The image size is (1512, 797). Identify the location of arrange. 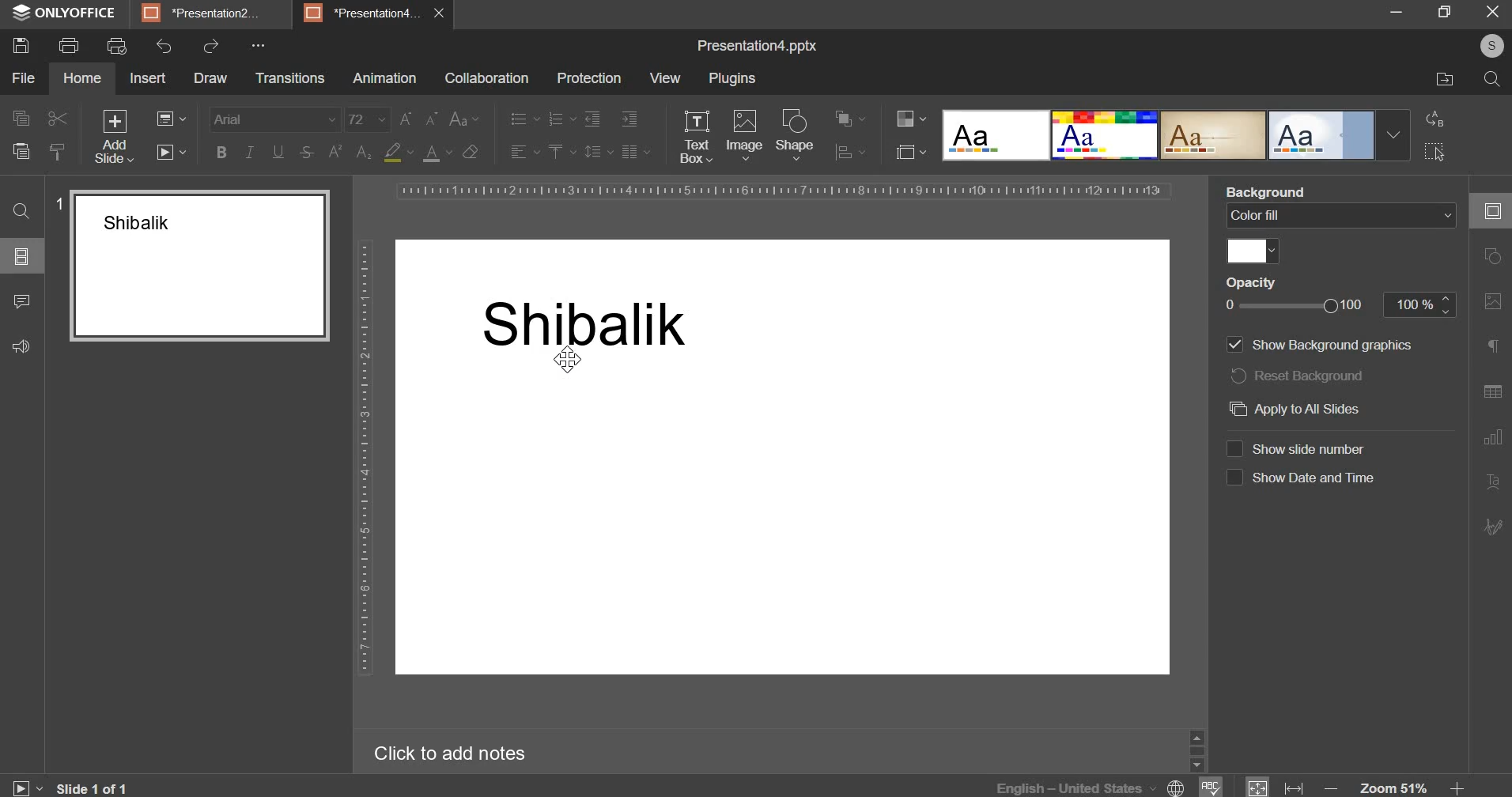
(847, 118).